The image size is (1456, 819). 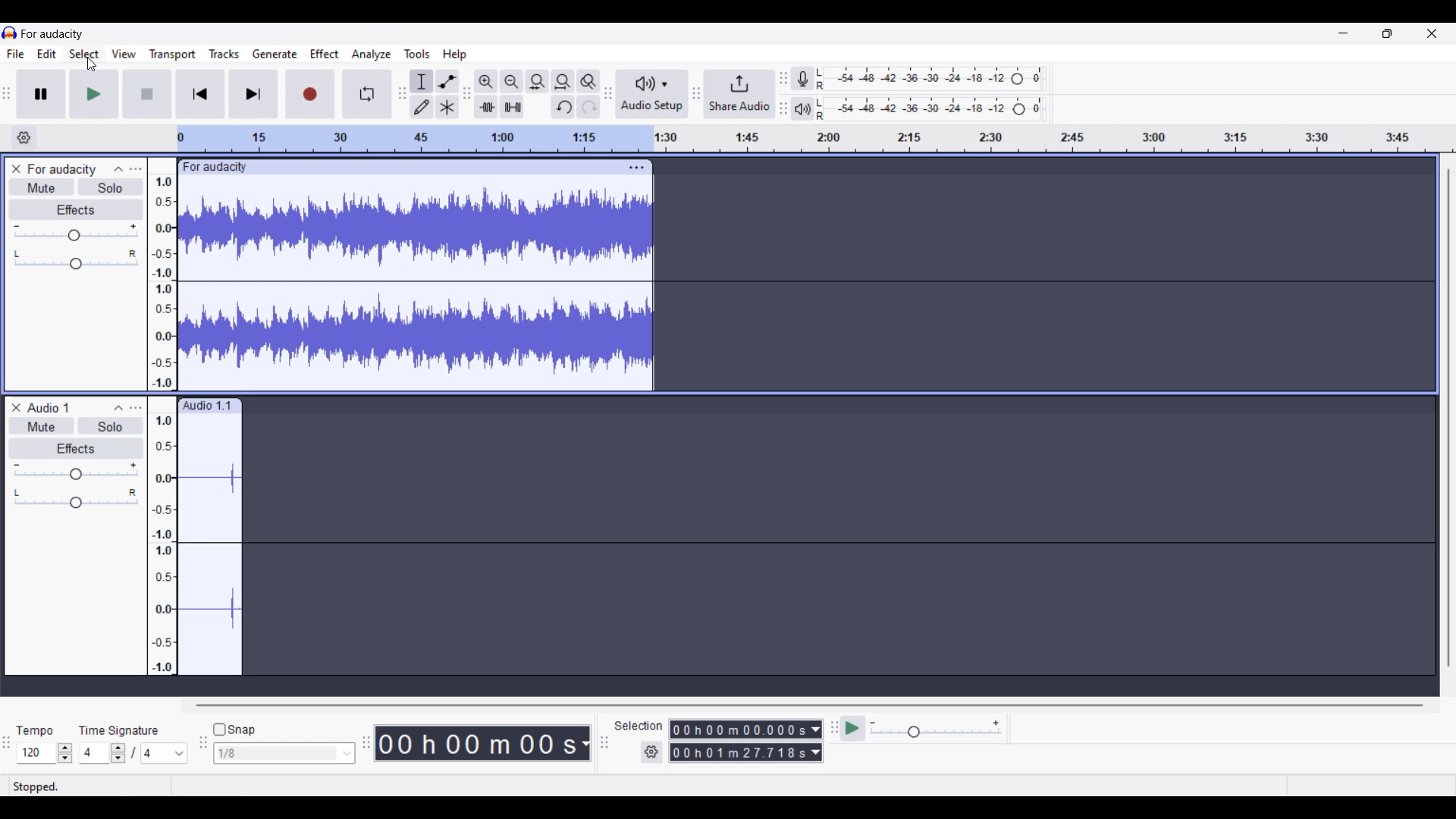 I want to click on stopped, so click(x=57, y=786).